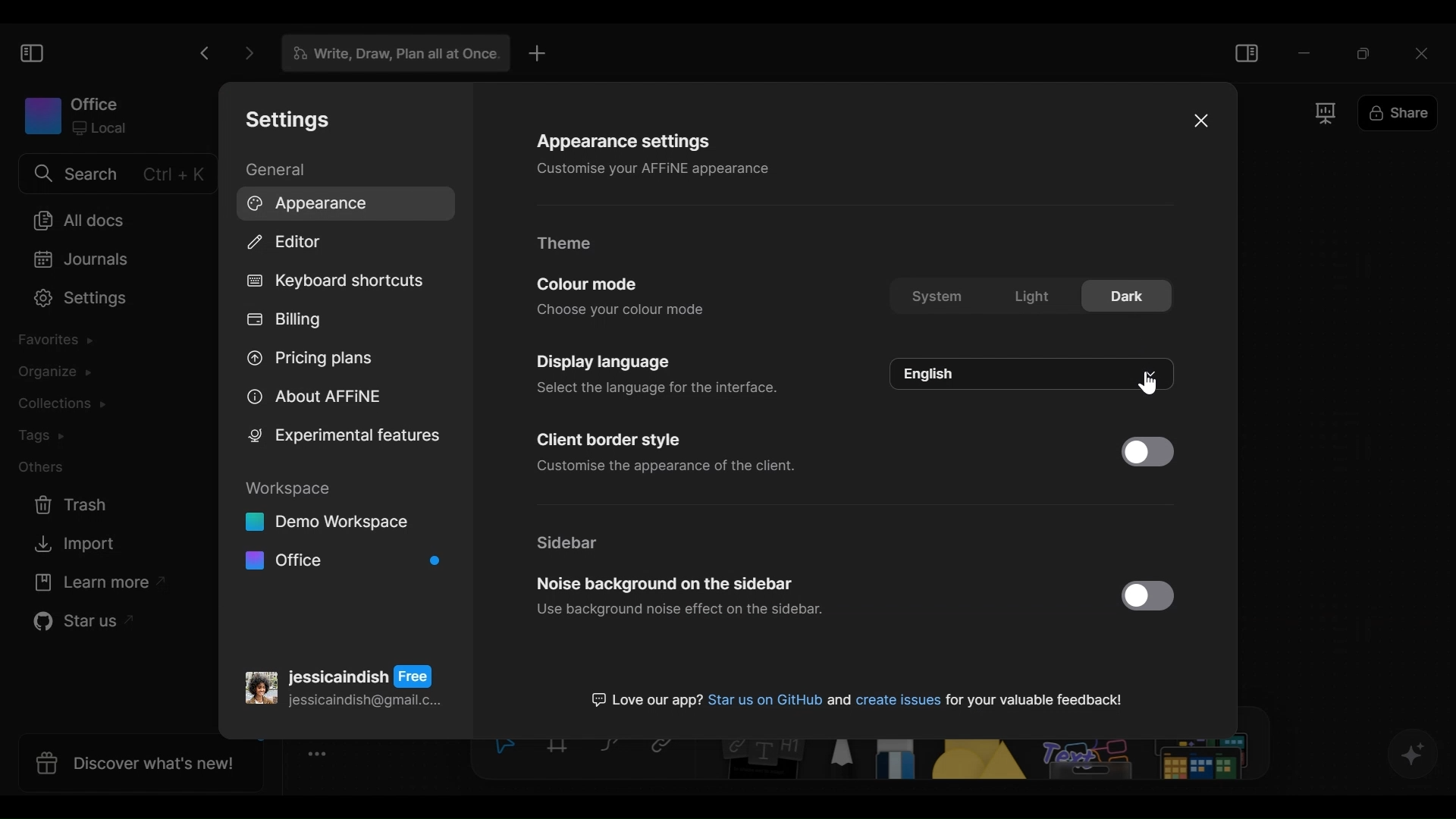 The width and height of the screenshot is (1456, 819). Describe the element at coordinates (93, 585) in the screenshot. I see `Learn more` at that location.